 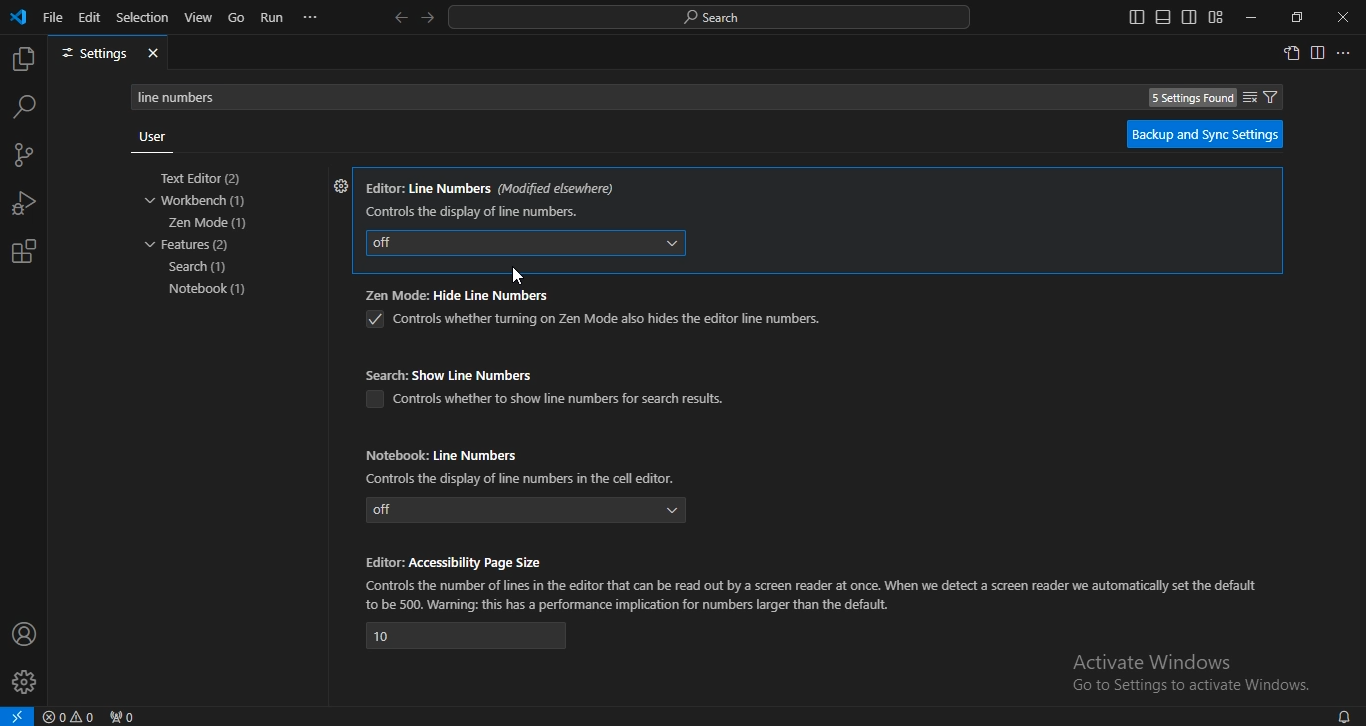 What do you see at coordinates (523, 240) in the screenshot?
I see `on` at bounding box center [523, 240].